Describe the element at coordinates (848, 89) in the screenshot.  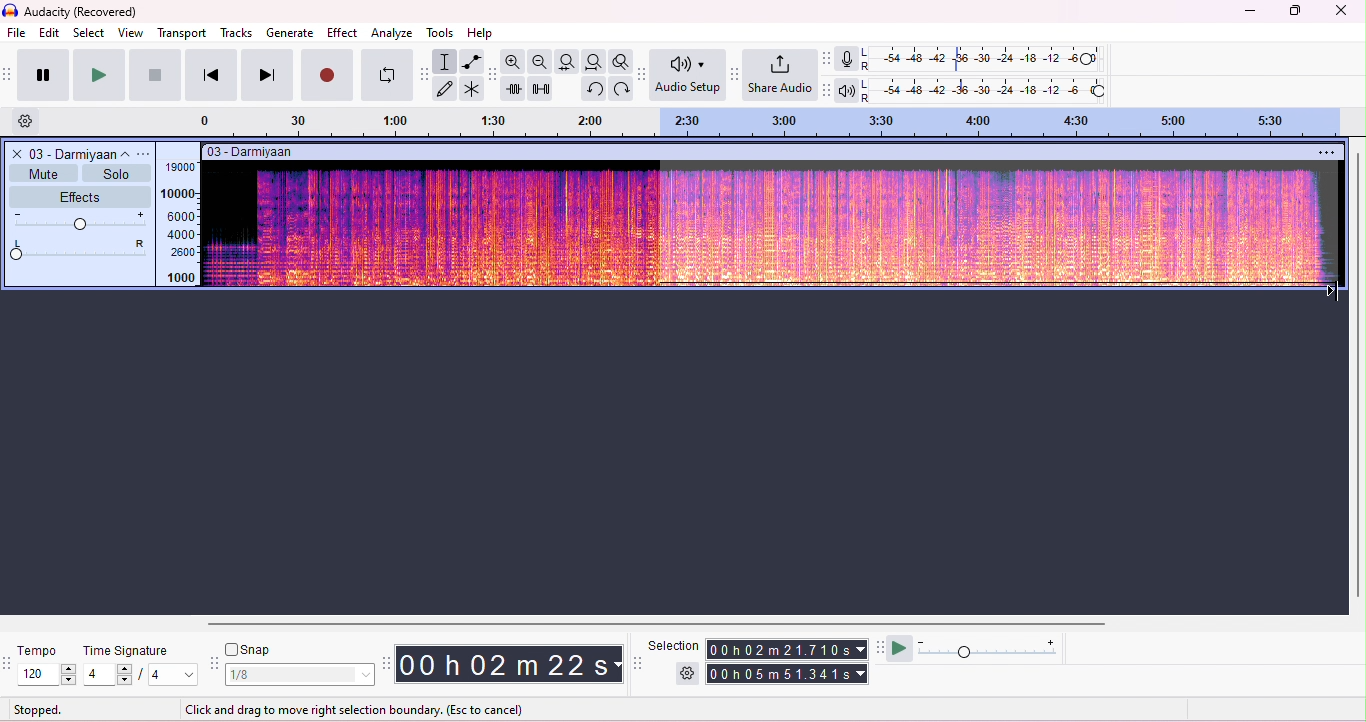
I see `playback meter` at that location.